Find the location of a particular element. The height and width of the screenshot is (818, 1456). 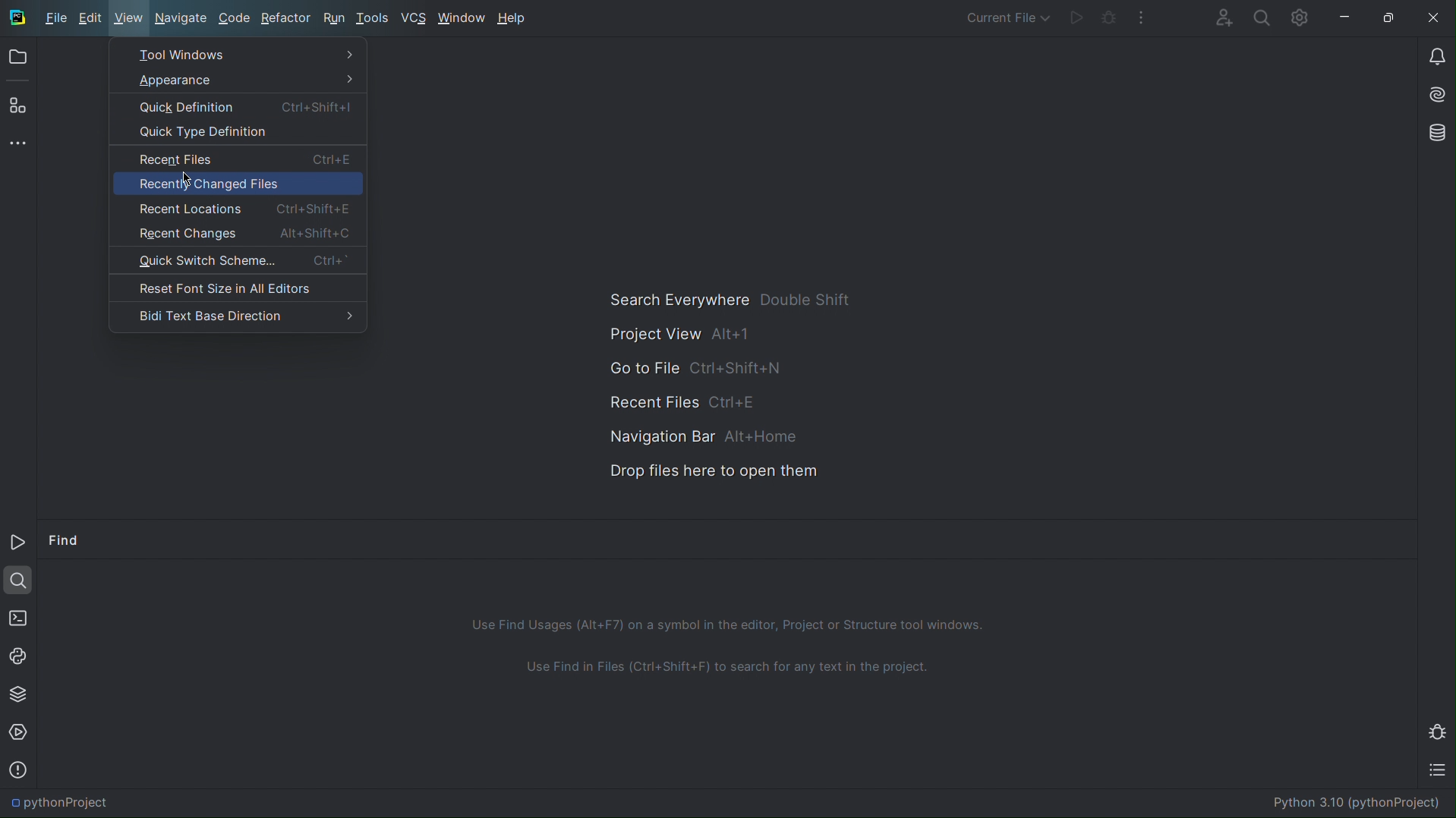

More is located at coordinates (1141, 16).